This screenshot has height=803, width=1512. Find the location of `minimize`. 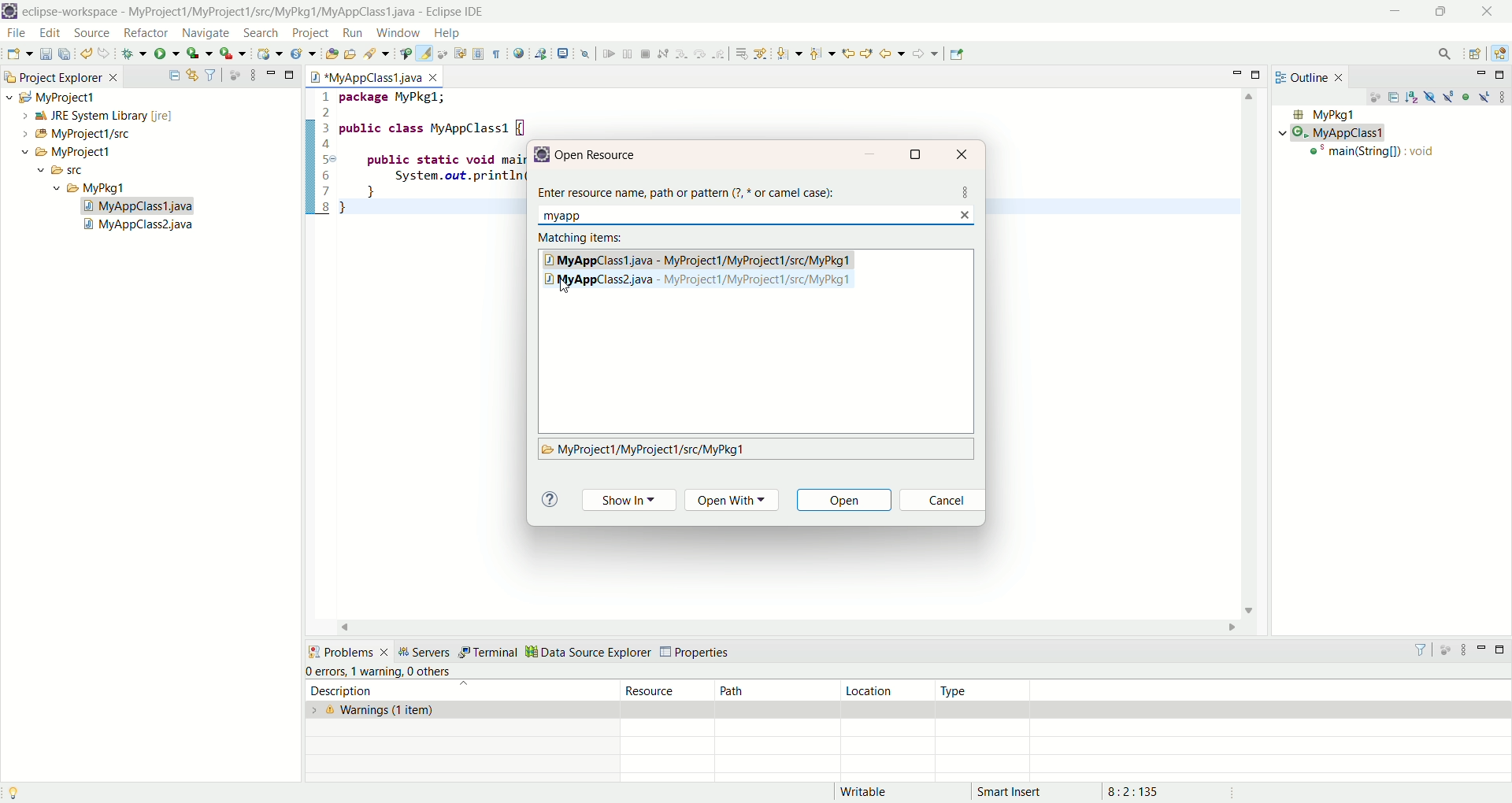

minimize is located at coordinates (870, 155).